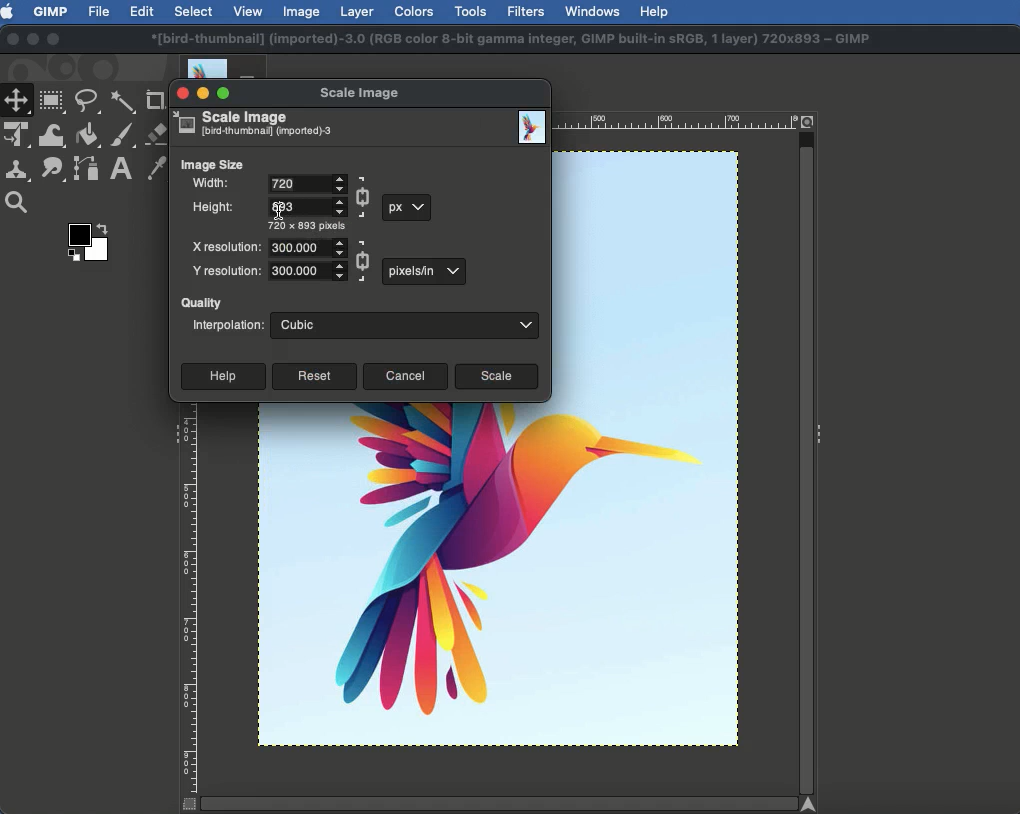  Describe the element at coordinates (413, 12) in the screenshot. I see `Colors` at that location.